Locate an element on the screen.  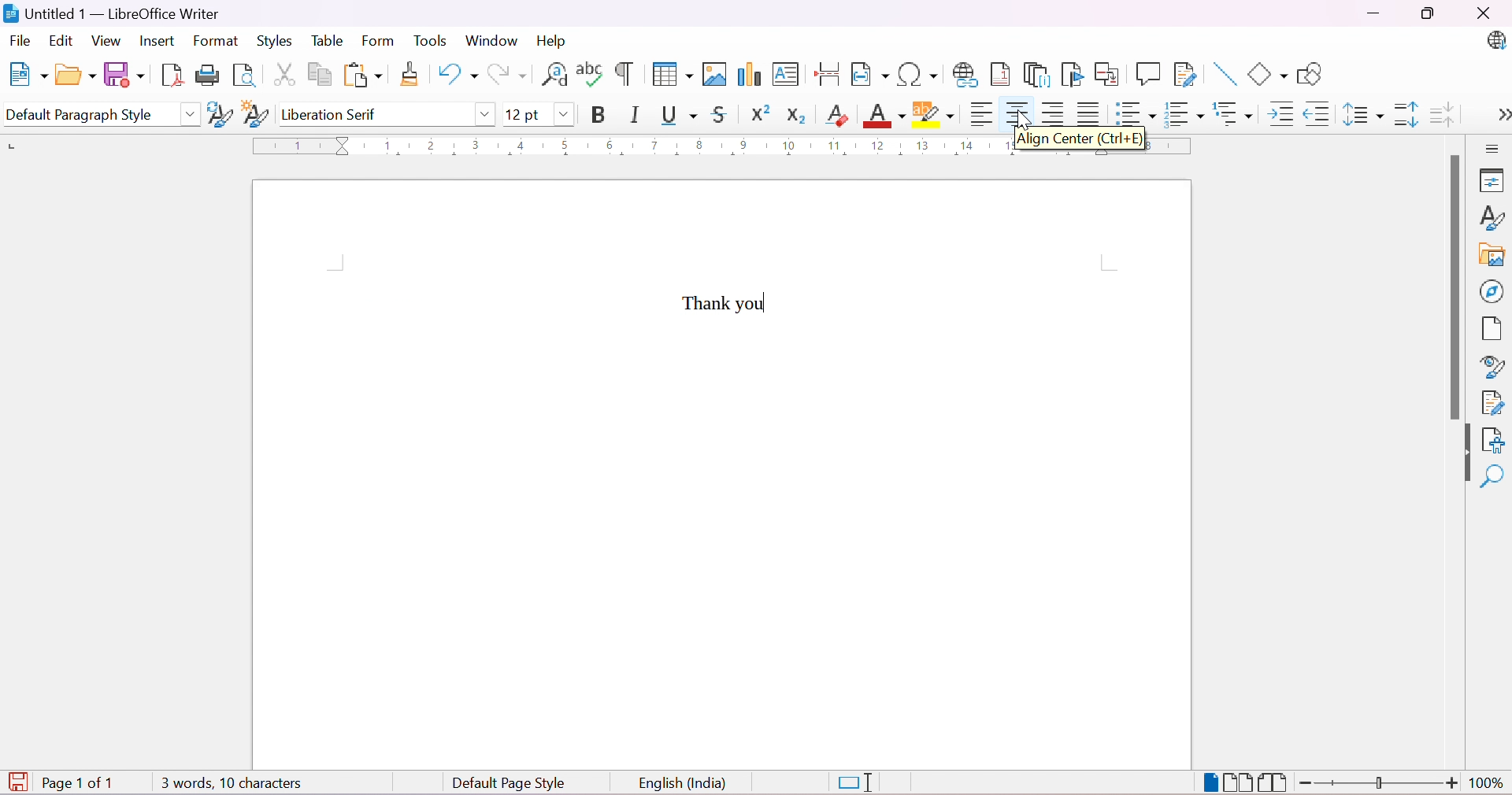
Align Right is located at coordinates (1052, 115).